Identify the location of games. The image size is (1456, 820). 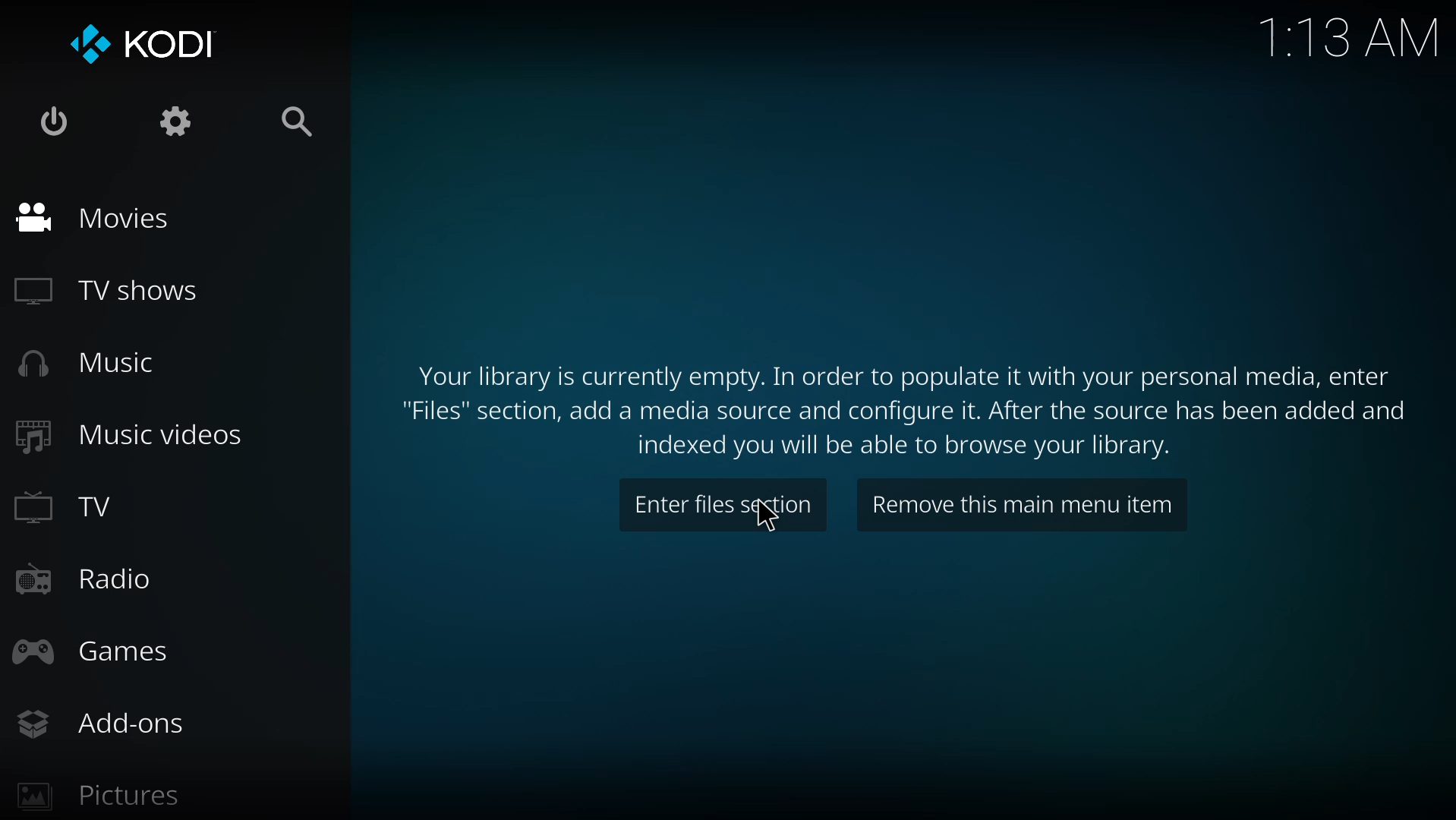
(102, 654).